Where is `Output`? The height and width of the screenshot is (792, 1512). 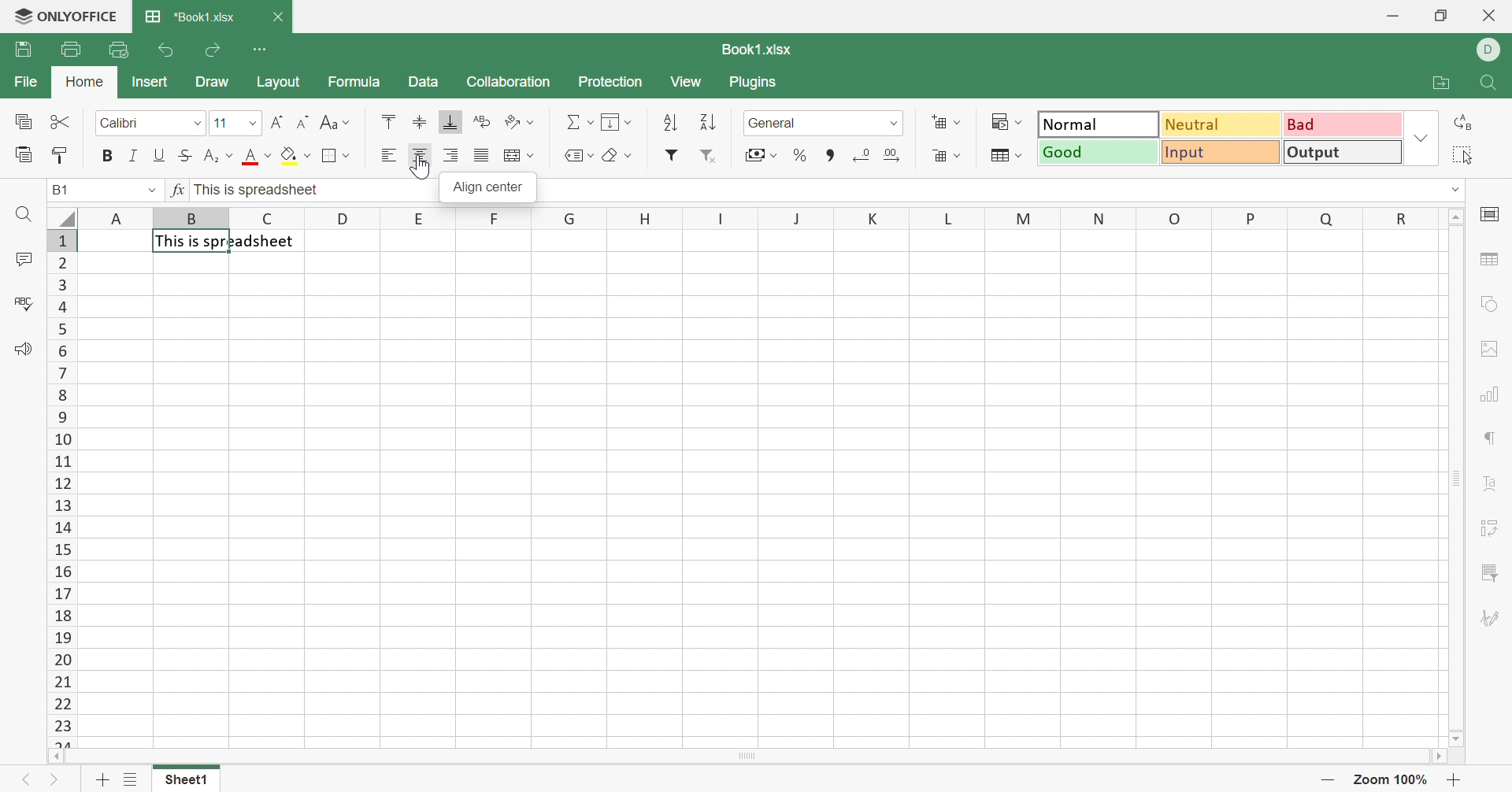
Output is located at coordinates (1344, 152).